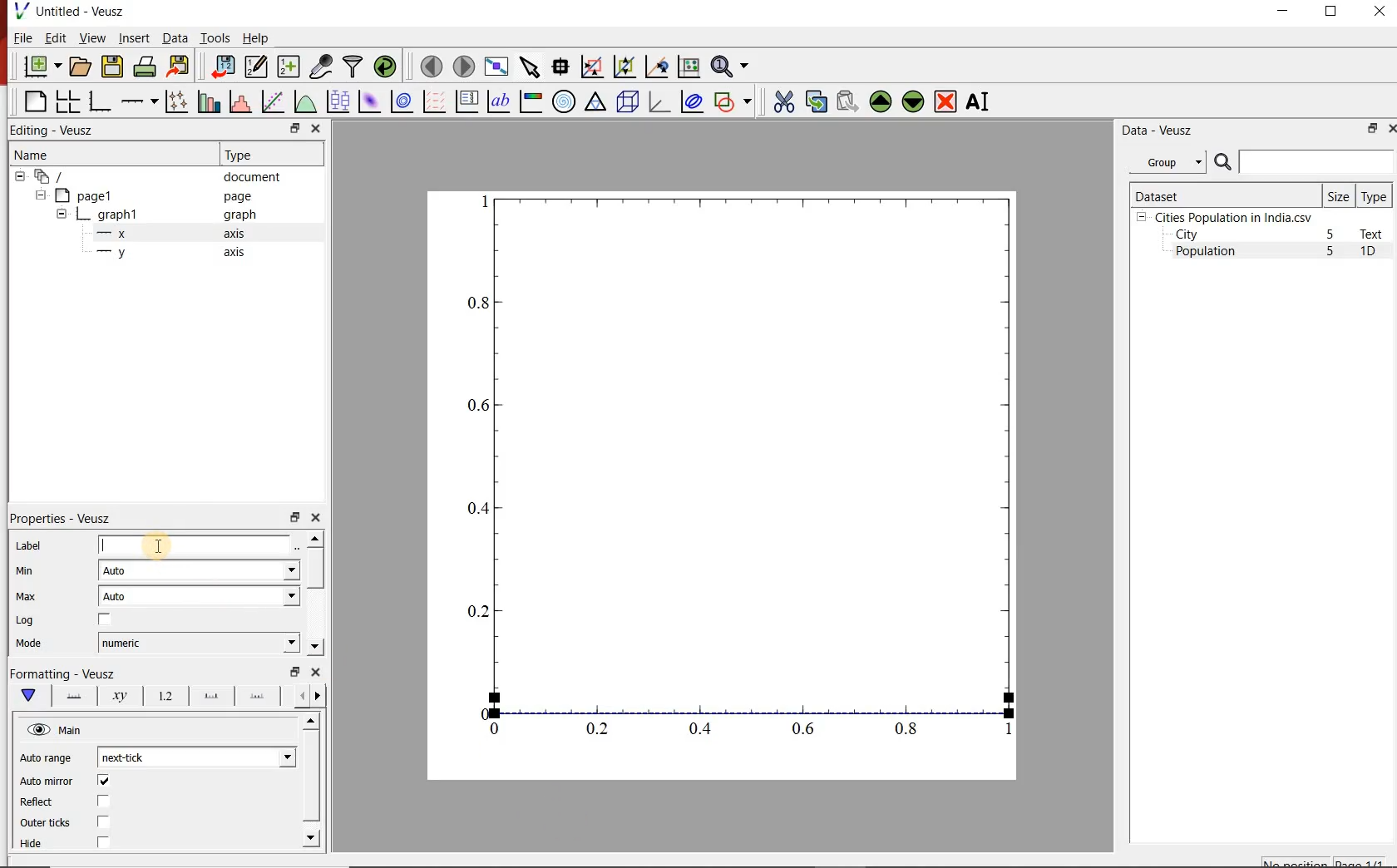 The height and width of the screenshot is (868, 1397). What do you see at coordinates (116, 699) in the screenshot?
I see `Axis Label` at bounding box center [116, 699].